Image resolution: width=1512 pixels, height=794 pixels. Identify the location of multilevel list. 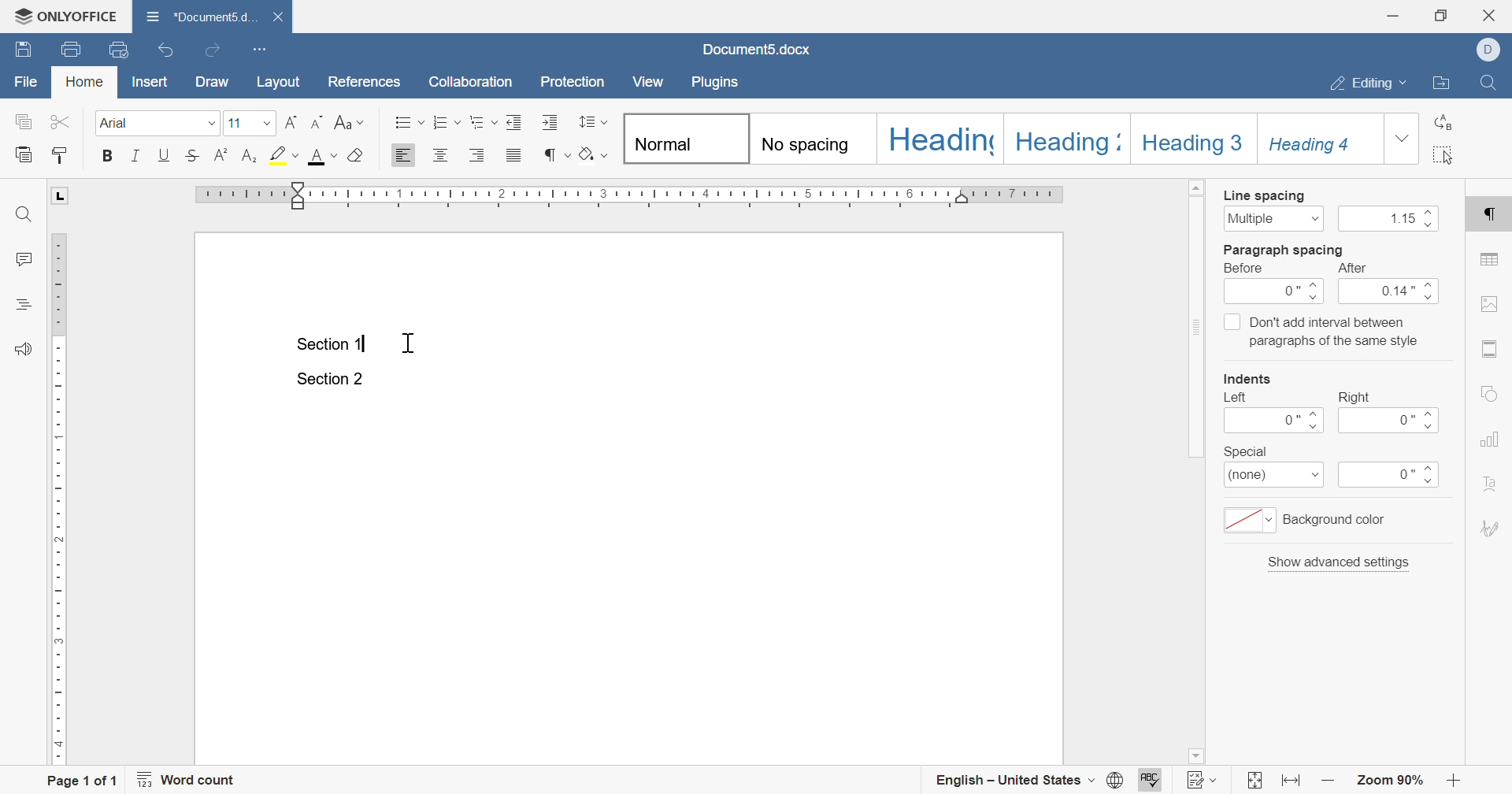
(482, 122).